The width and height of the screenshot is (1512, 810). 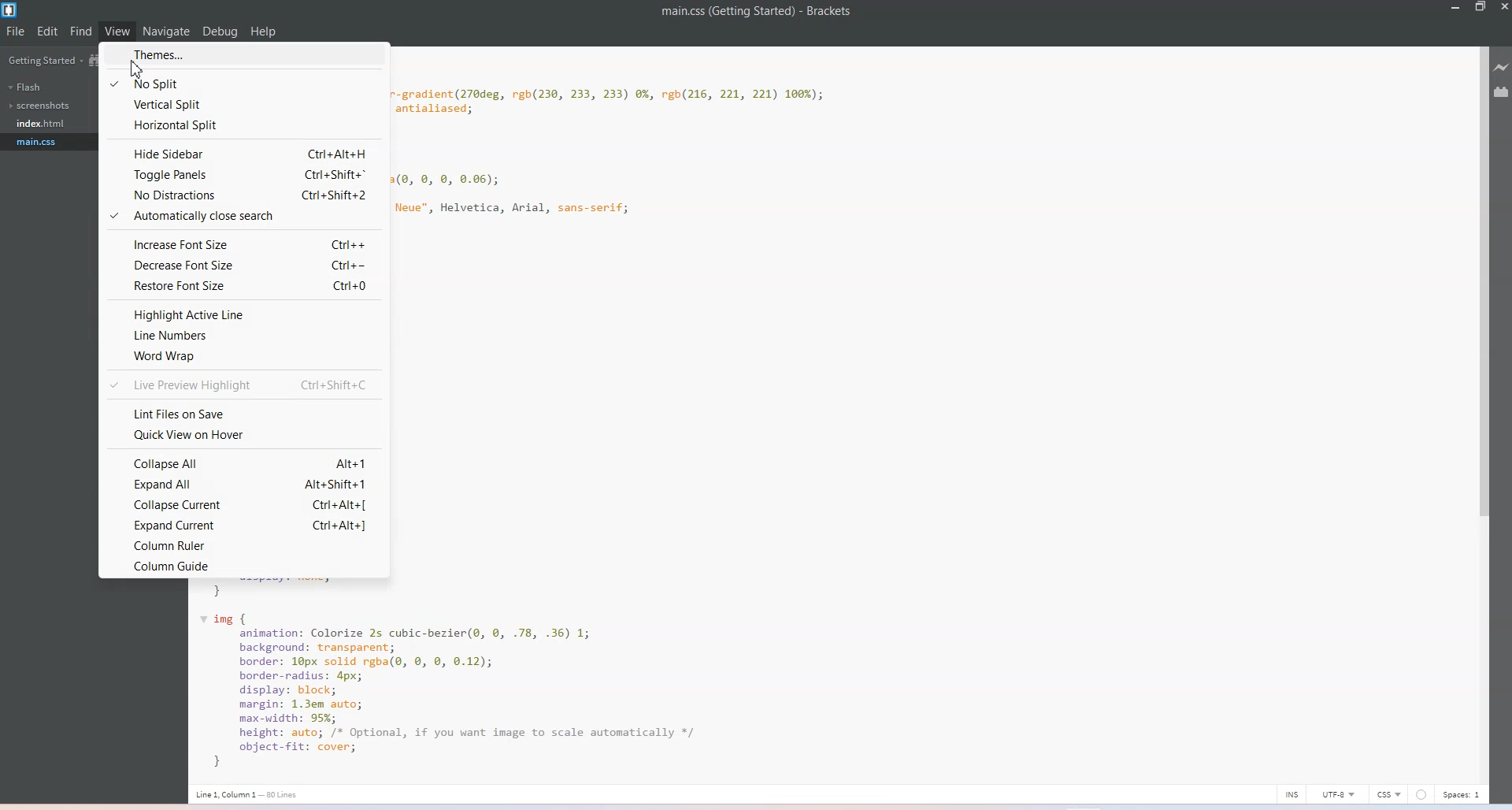 I want to click on Live Preview highlight, so click(x=246, y=384).